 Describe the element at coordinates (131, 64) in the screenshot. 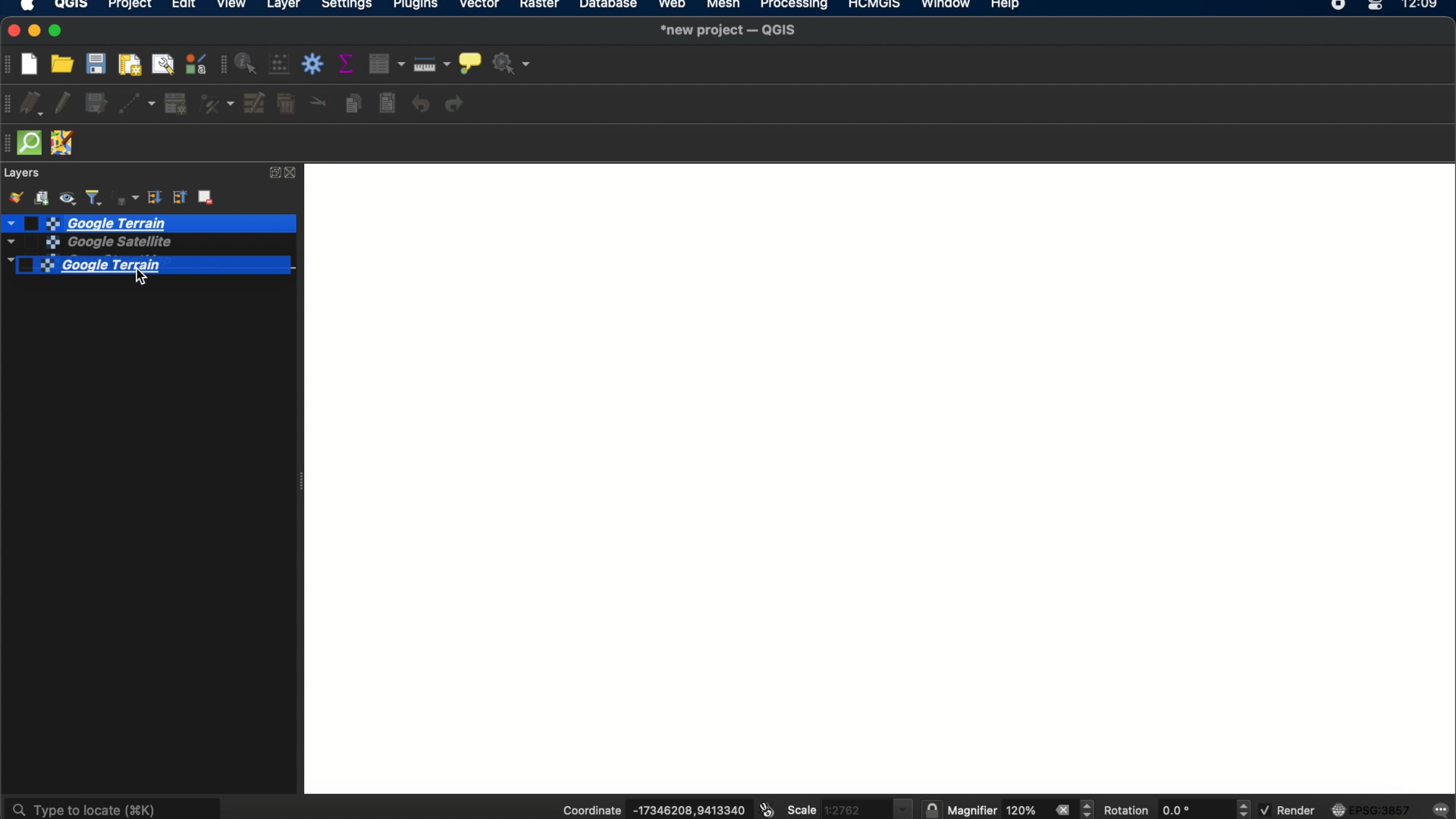

I see `new print layout` at that location.